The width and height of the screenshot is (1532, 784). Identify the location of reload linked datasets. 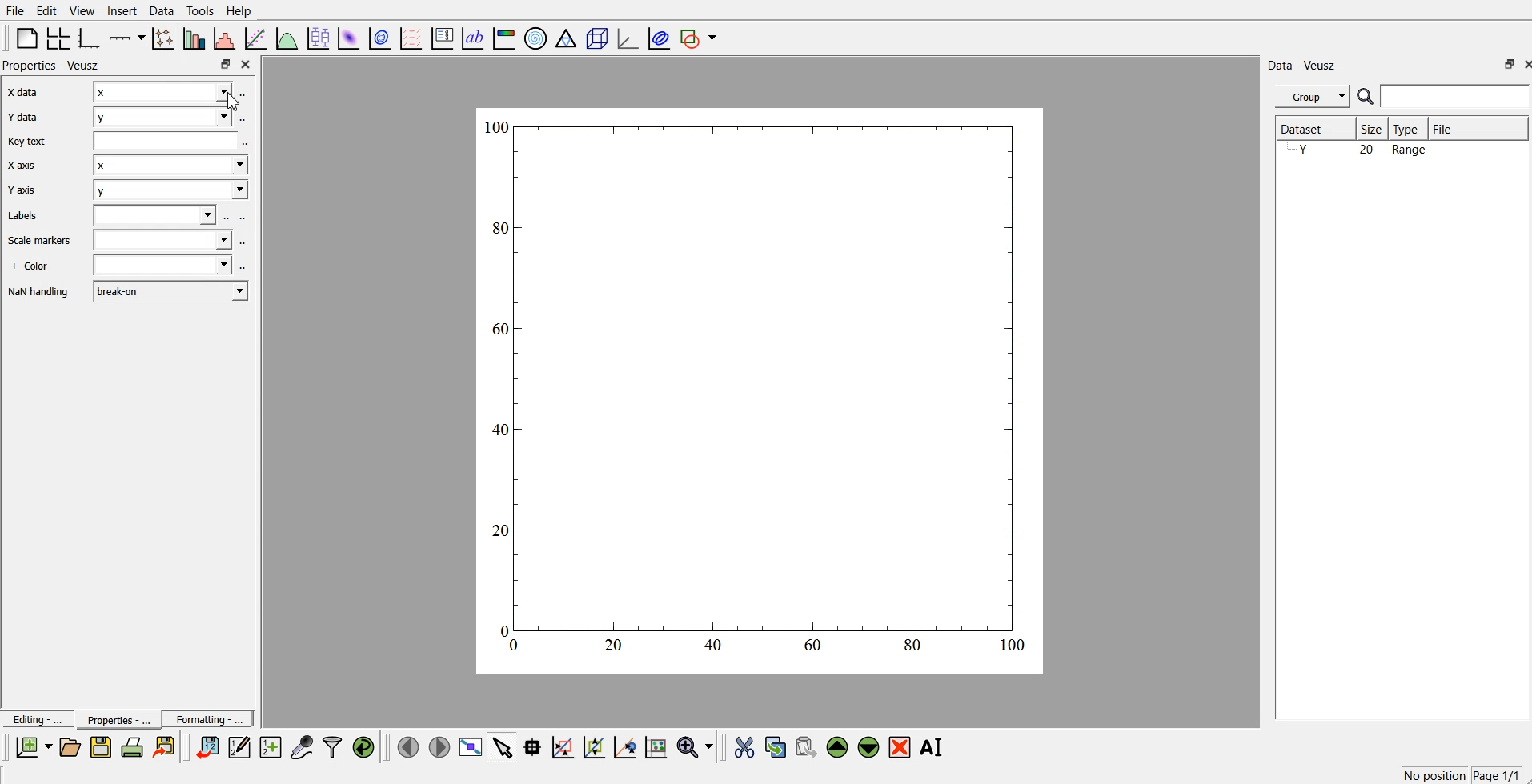
(366, 746).